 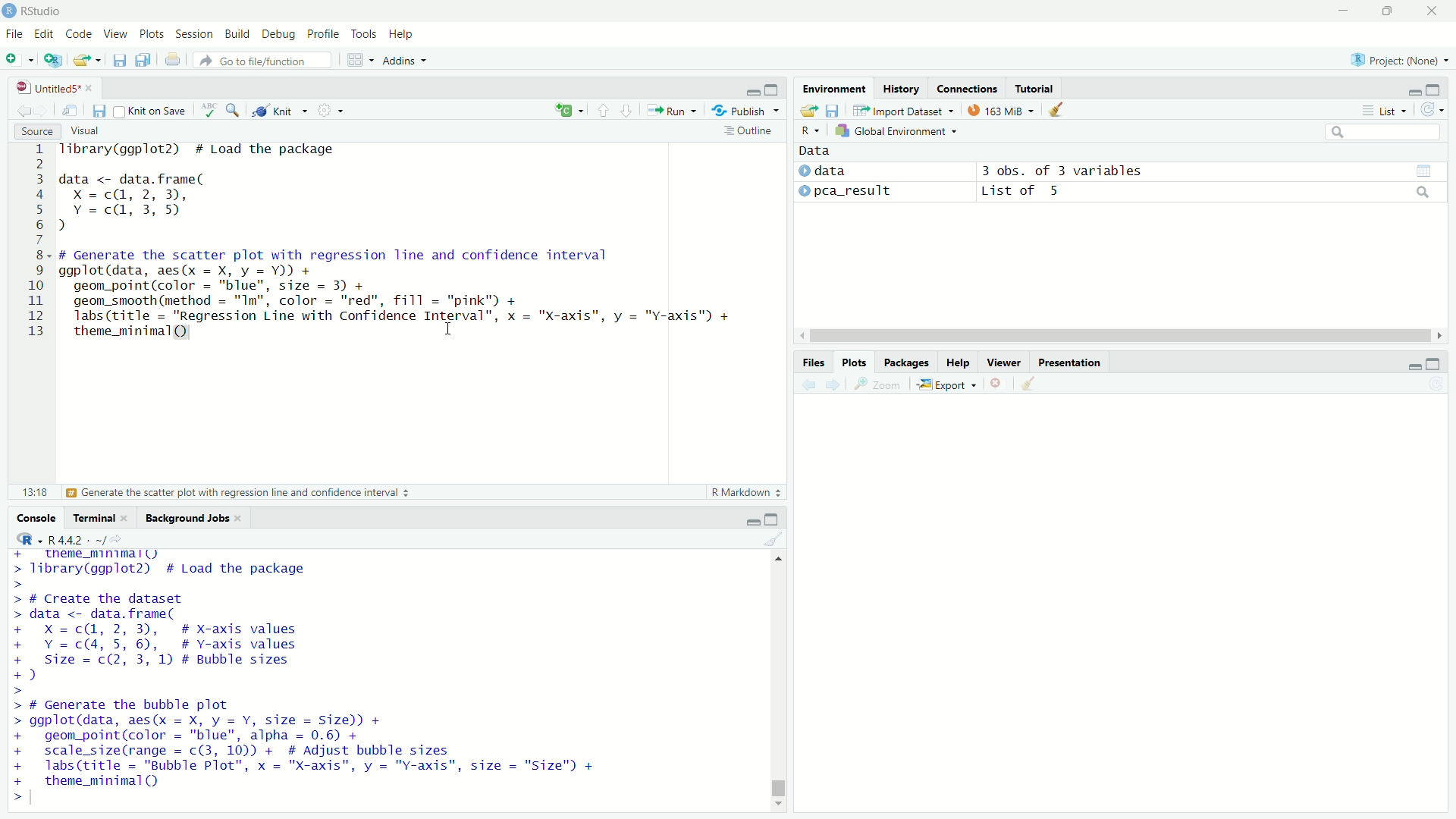 What do you see at coordinates (948, 384) in the screenshot?
I see `Export` at bounding box center [948, 384].